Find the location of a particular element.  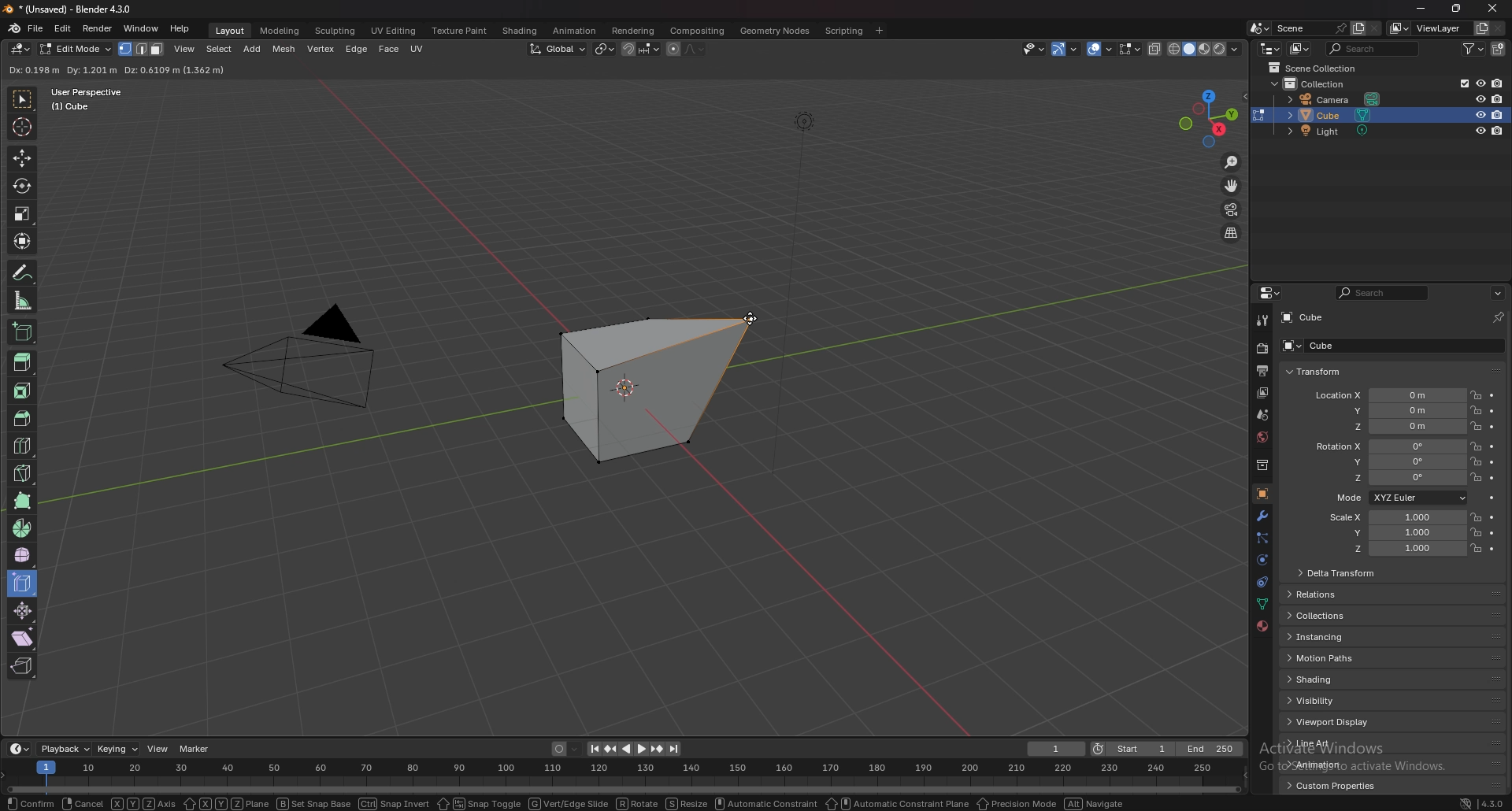

remove view layer is located at coordinates (1498, 28).